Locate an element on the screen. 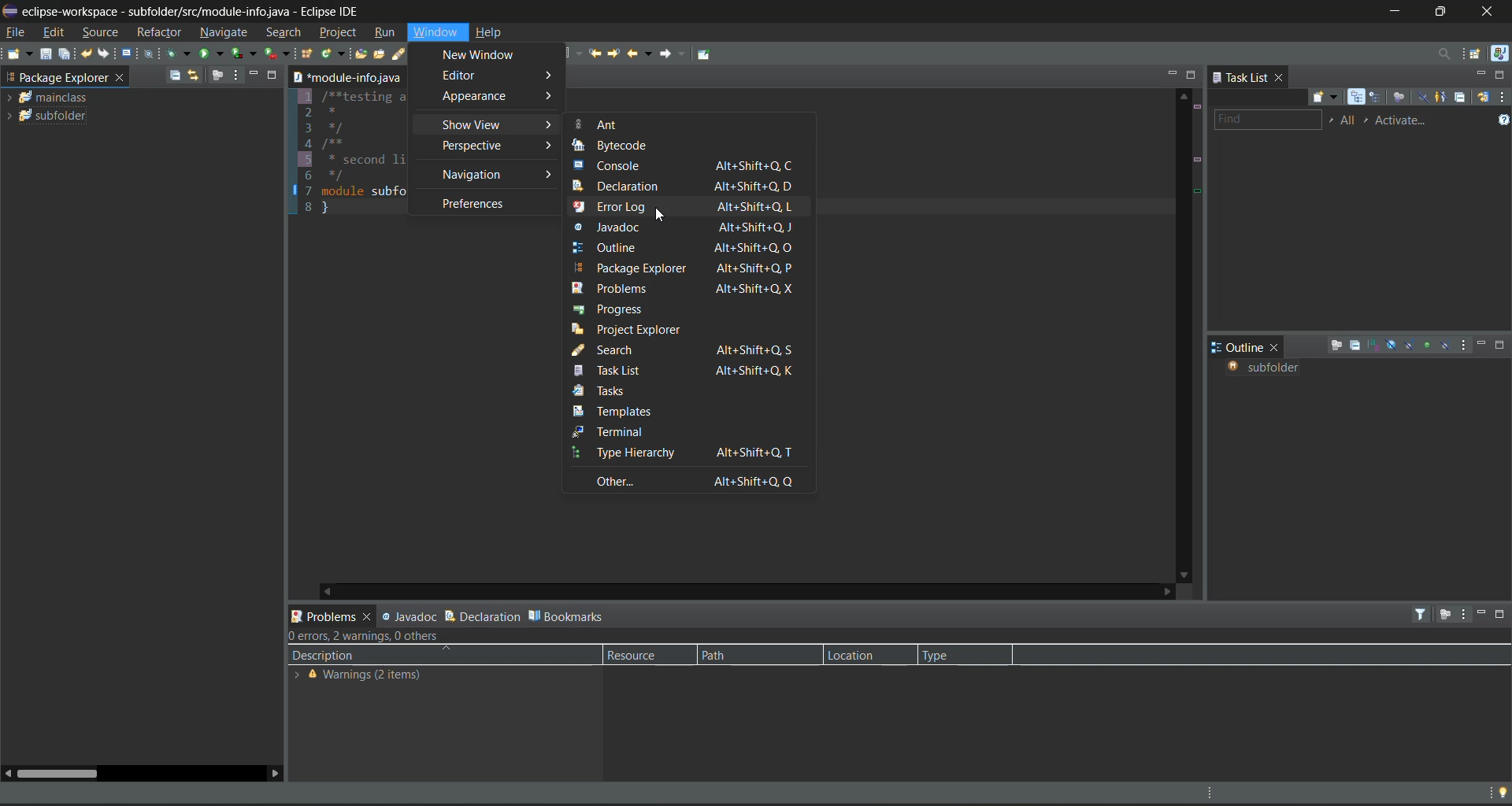 The width and height of the screenshot is (1512, 806). show only my tasks is located at coordinates (1442, 98).